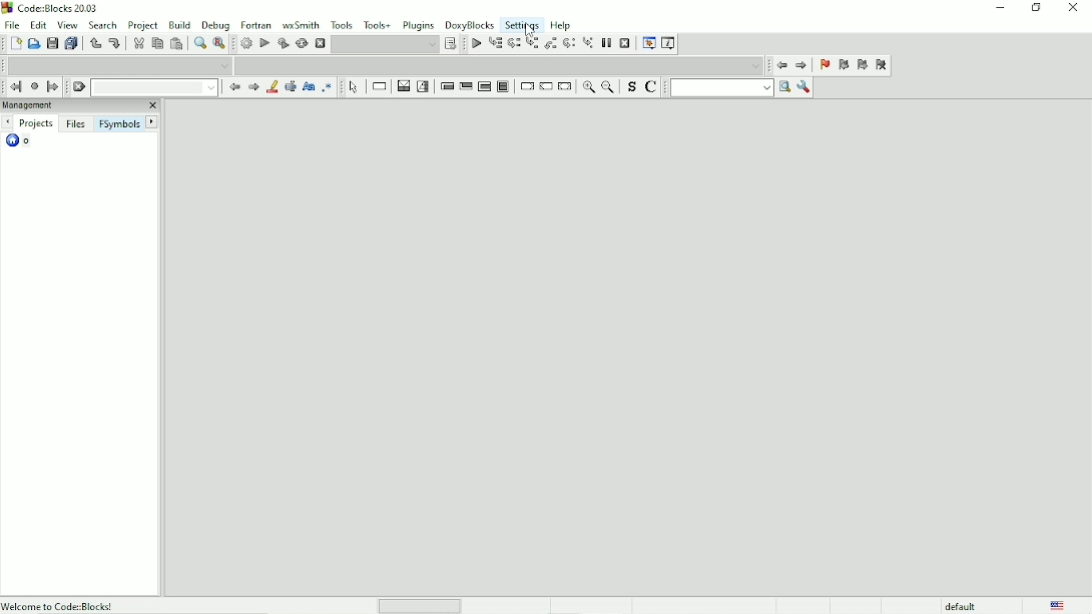 The width and height of the screenshot is (1092, 614). I want to click on Show the select target dialog, so click(394, 44).